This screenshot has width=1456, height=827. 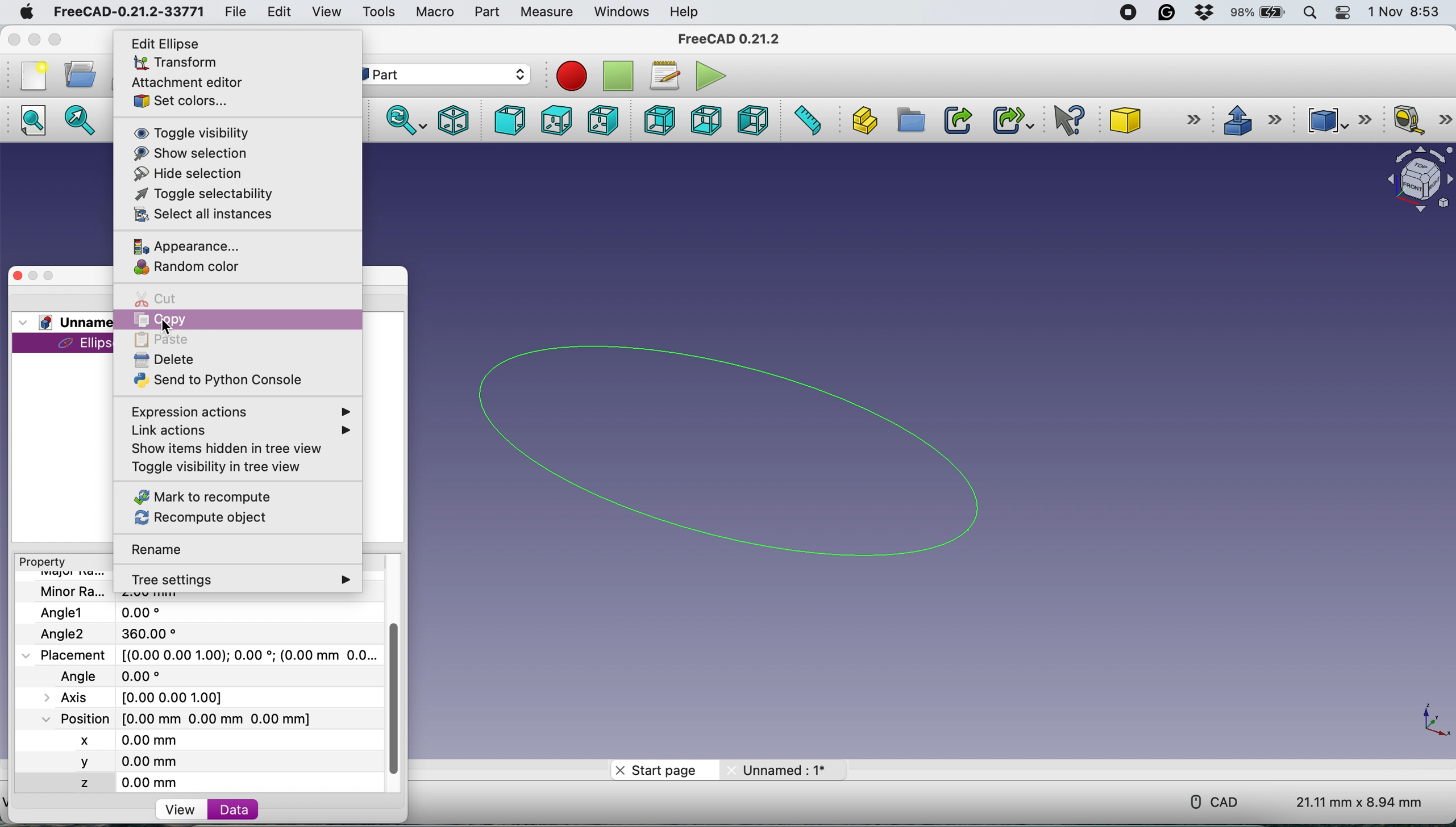 I want to click on create part, so click(x=860, y=121).